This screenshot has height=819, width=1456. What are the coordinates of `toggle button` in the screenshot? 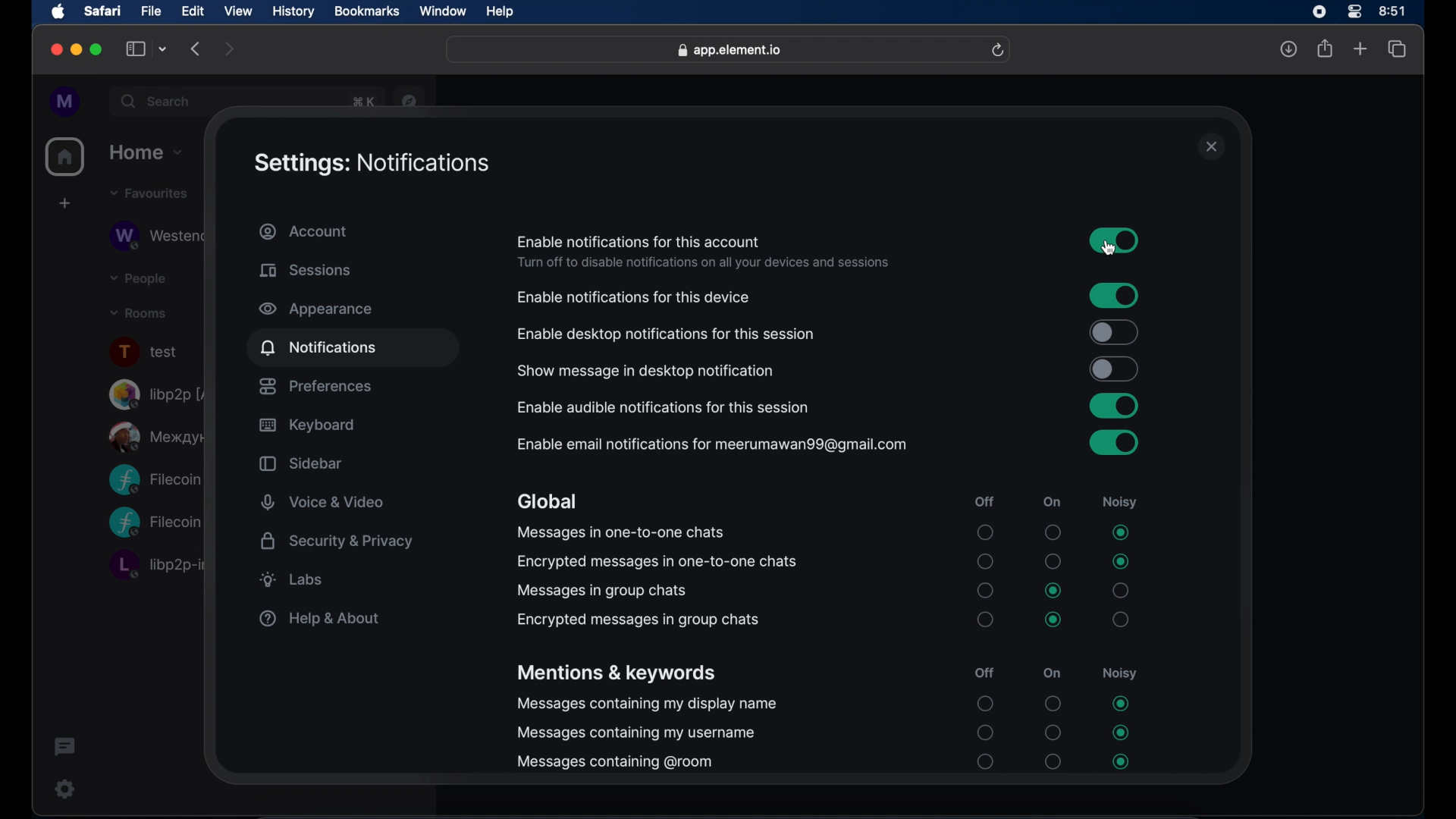 It's located at (1114, 294).